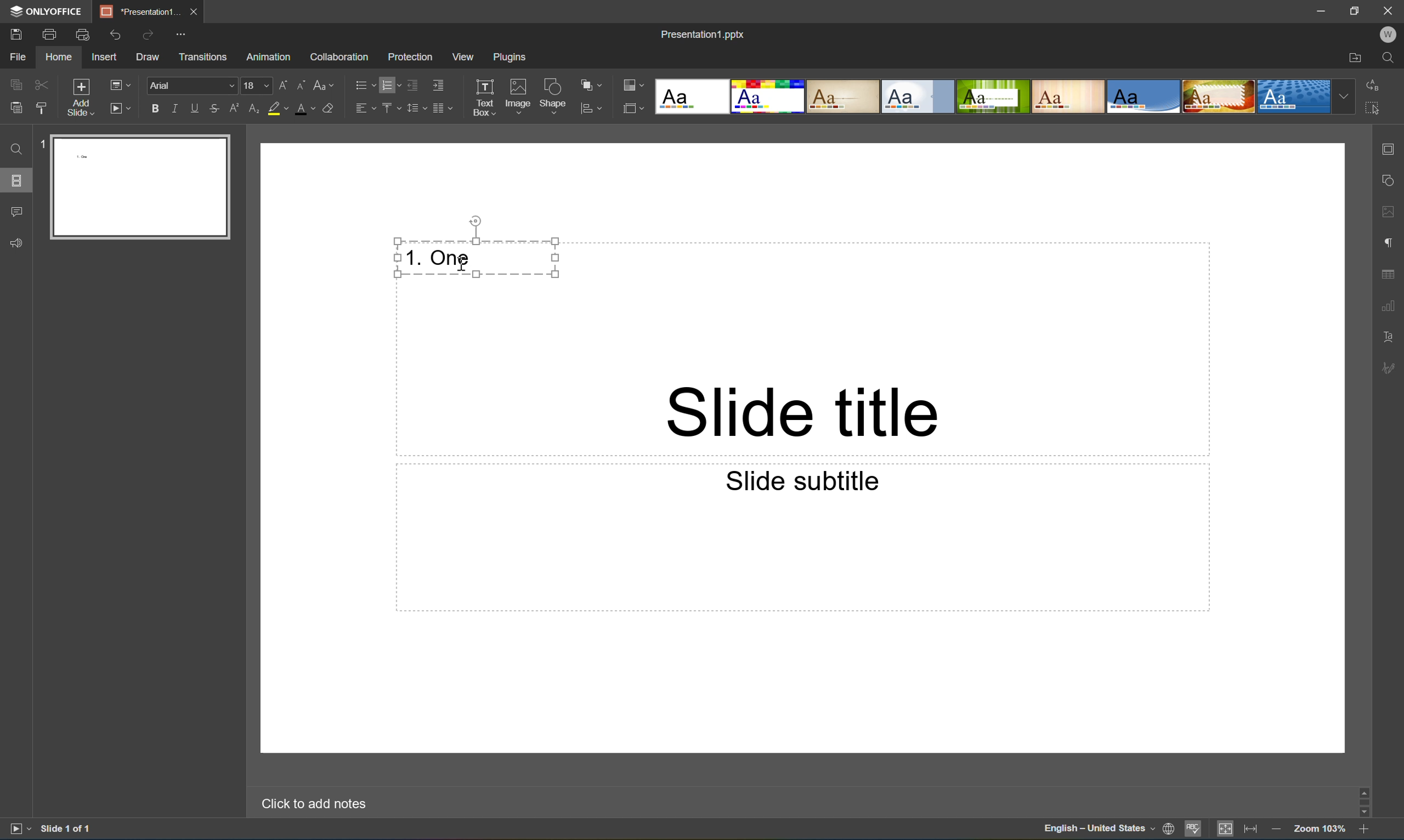 The height and width of the screenshot is (840, 1404). What do you see at coordinates (341, 58) in the screenshot?
I see `Collaboration` at bounding box center [341, 58].